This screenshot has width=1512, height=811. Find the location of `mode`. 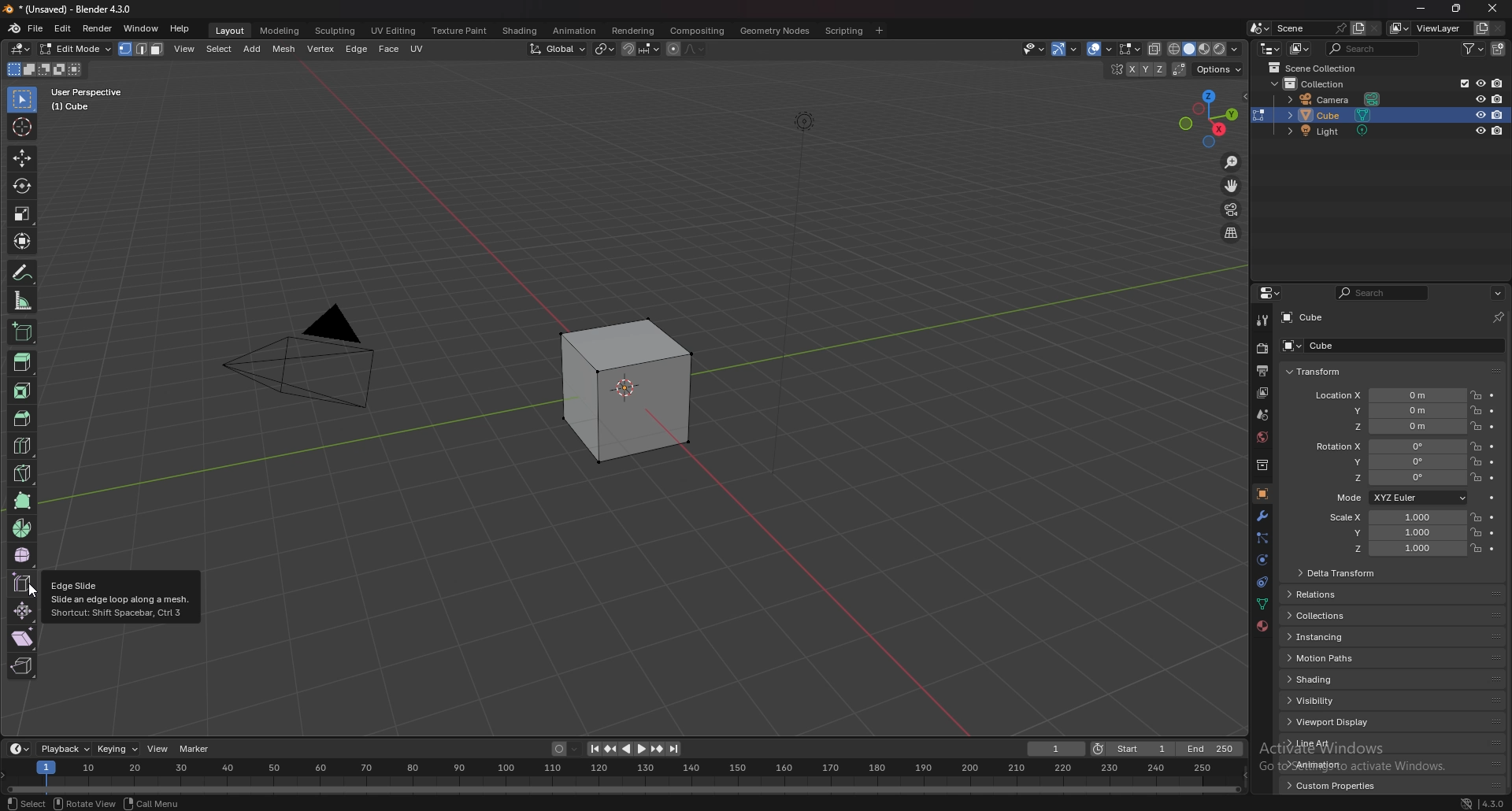

mode is located at coordinates (1399, 498).